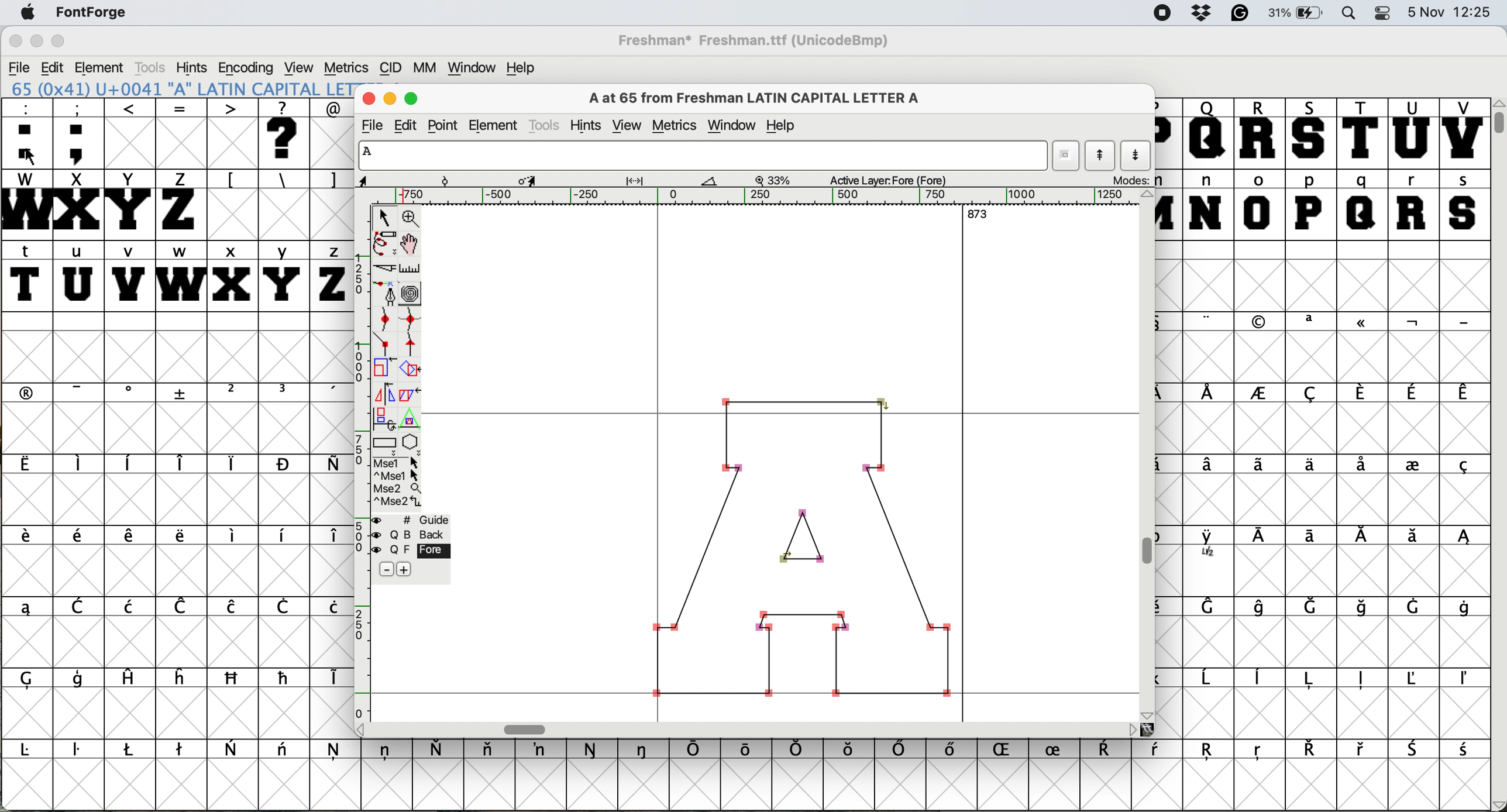  I want to click on horizontal scroll bar, so click(755, 729).